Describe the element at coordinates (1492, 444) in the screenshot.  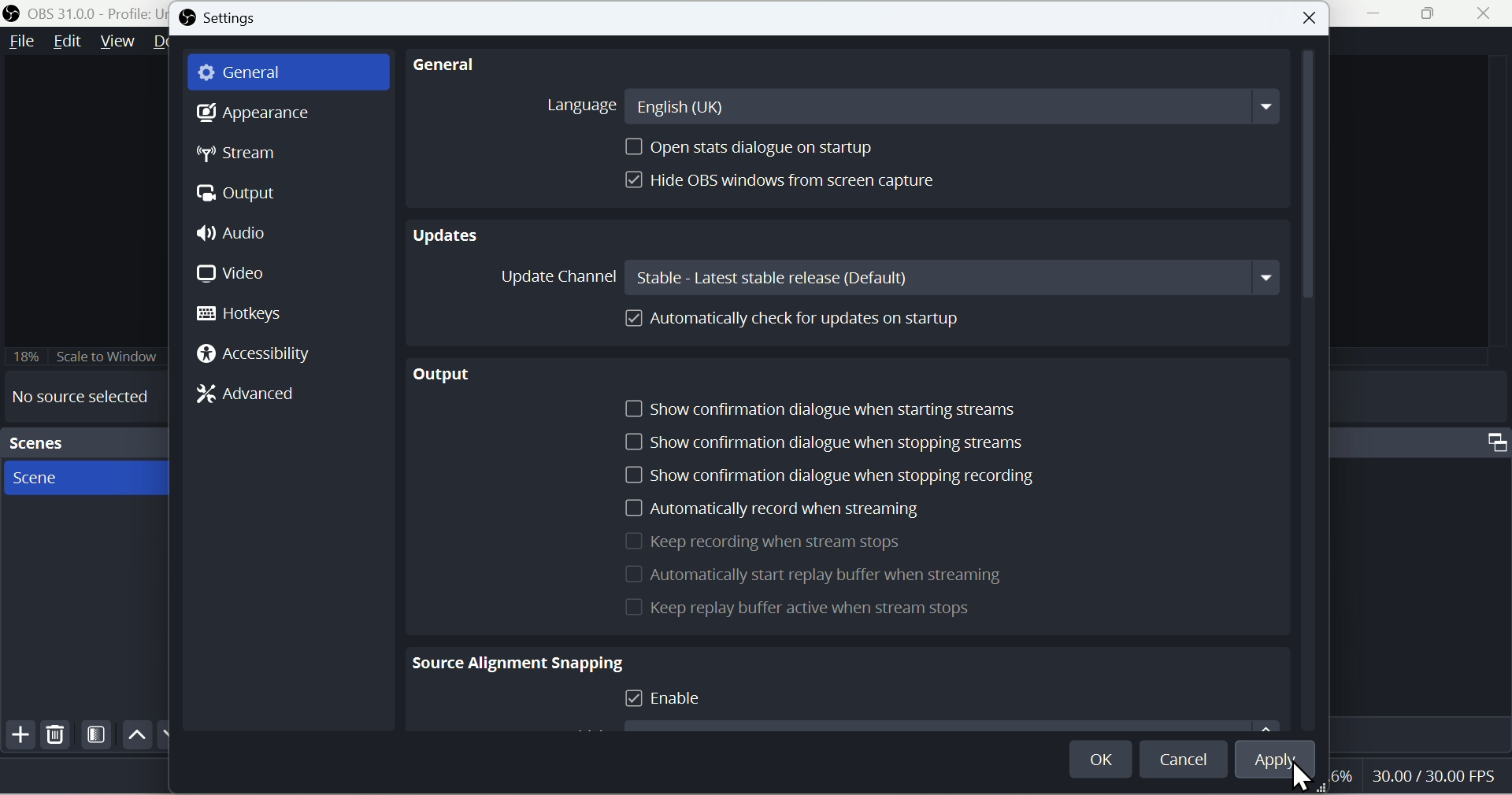
I see `Maximize Window` at that location.